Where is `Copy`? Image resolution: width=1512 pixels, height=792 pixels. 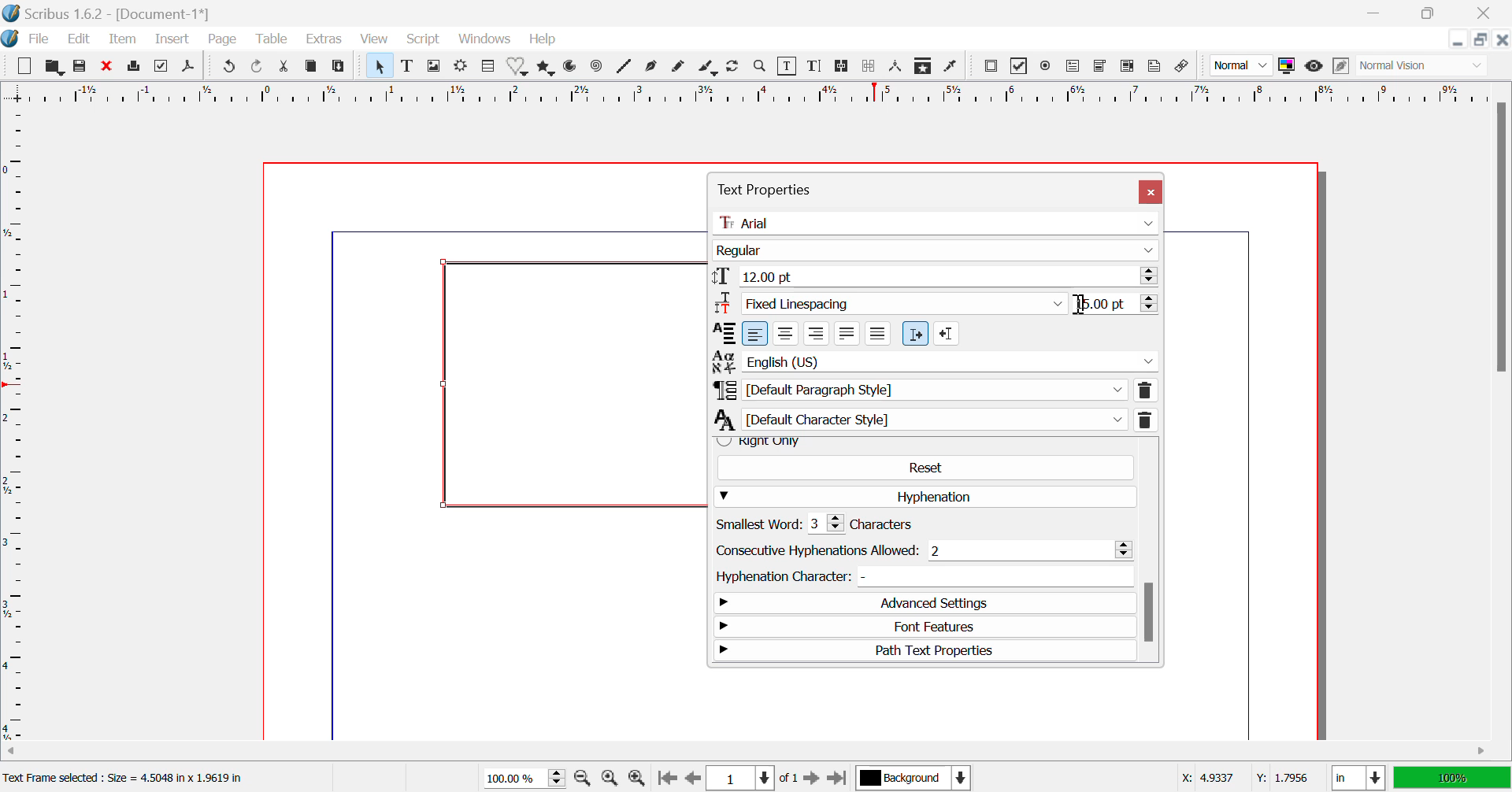
Copy is located at coordinates (312, 66).